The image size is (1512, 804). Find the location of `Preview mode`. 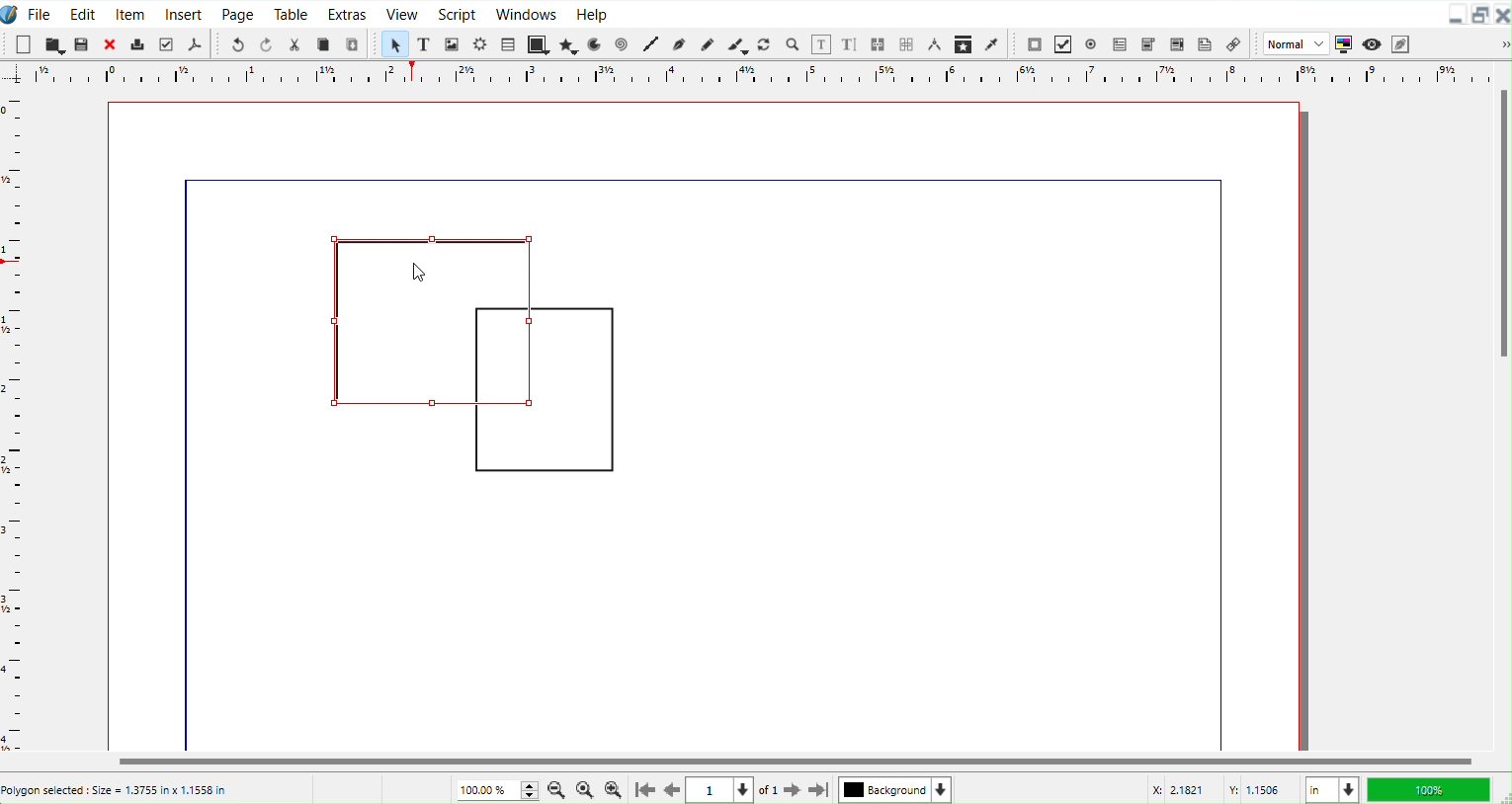

Preview mode is located at coordinates (1371, 42).